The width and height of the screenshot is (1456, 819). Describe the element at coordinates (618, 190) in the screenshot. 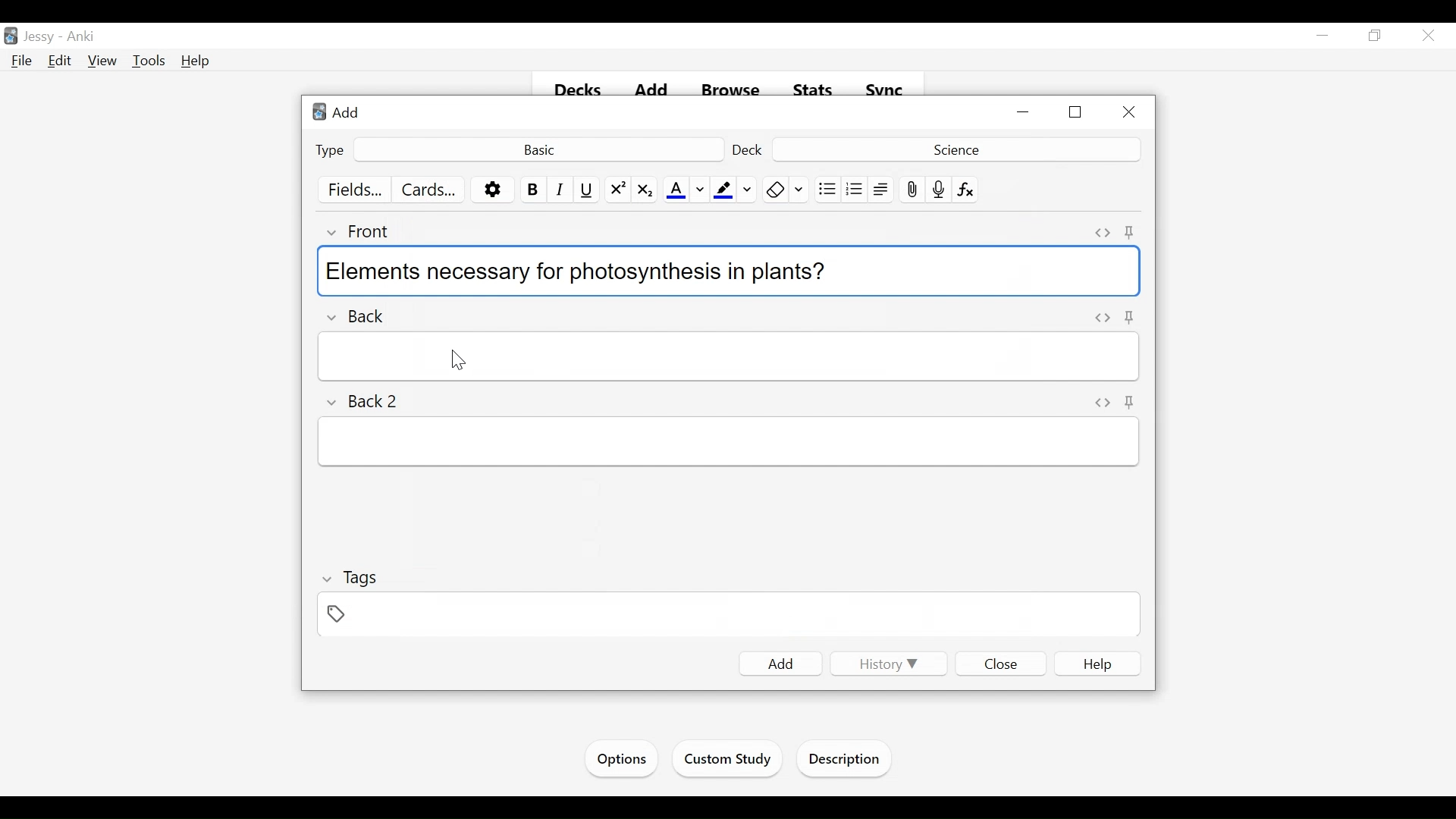

I see `Superscript` at that location.